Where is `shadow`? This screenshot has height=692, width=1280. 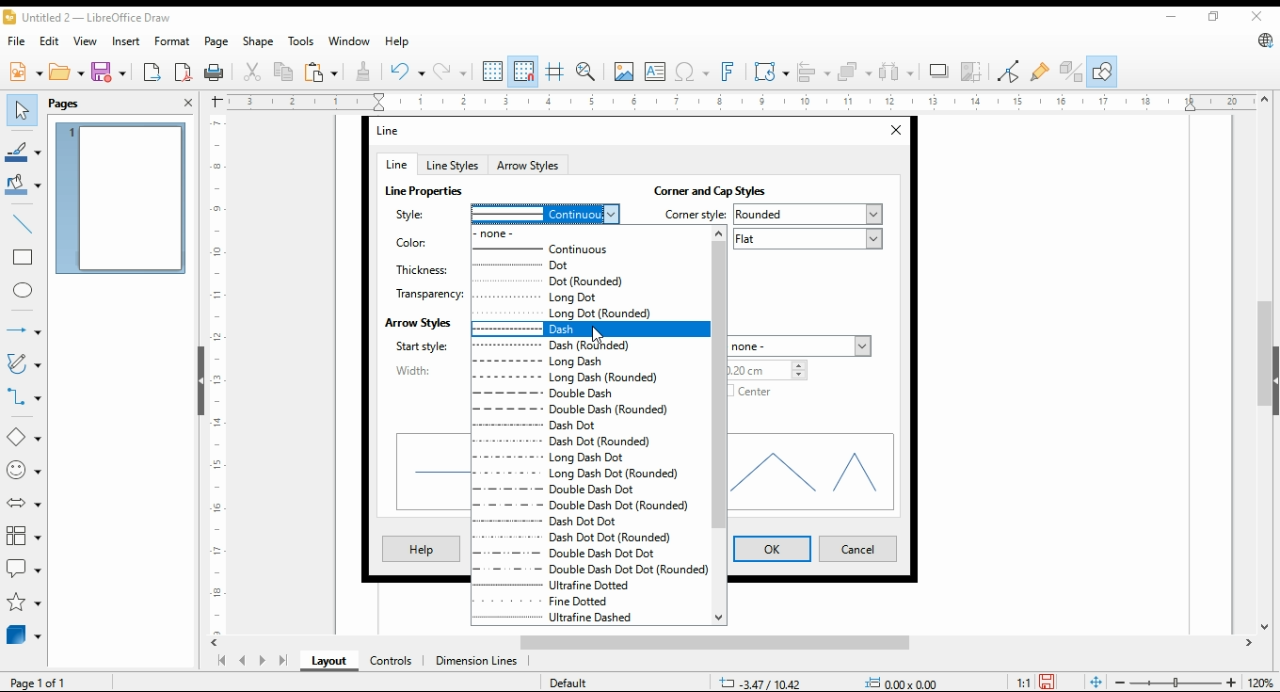 shadow is located at coordinates (939, 71).